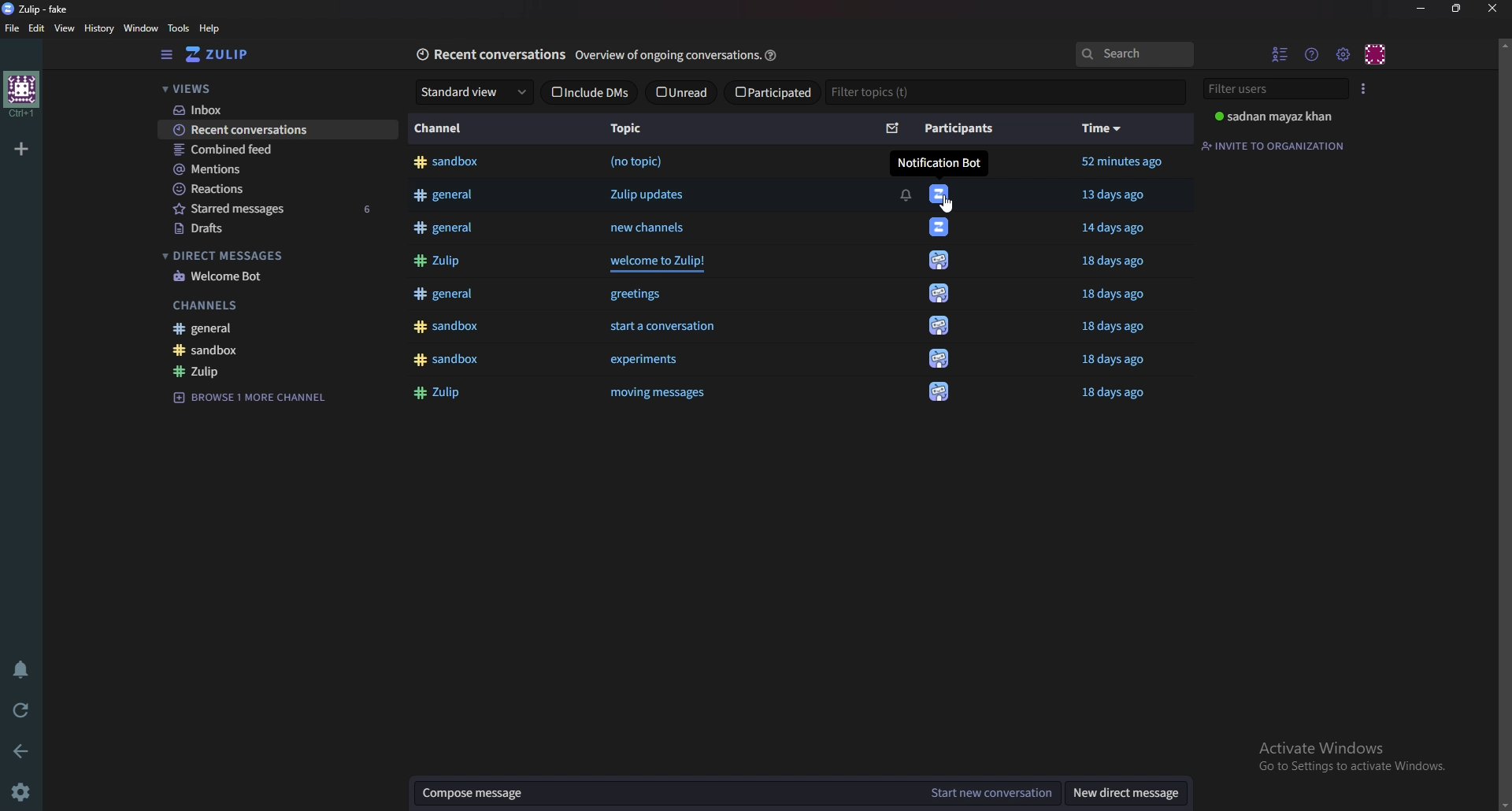 The width and height of the screenshot is (1512, 811). I want to click on settings, so click(24, 791).